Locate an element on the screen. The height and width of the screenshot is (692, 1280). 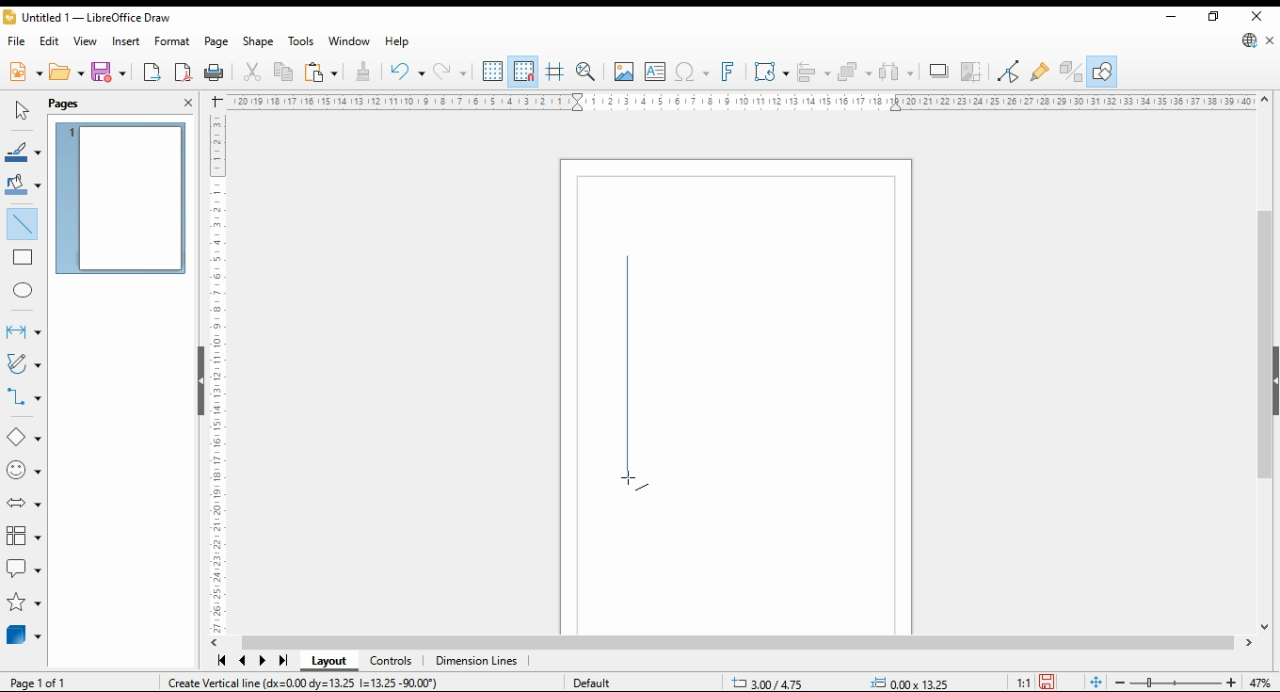
create vertical line is located at coordinates (314, 682).